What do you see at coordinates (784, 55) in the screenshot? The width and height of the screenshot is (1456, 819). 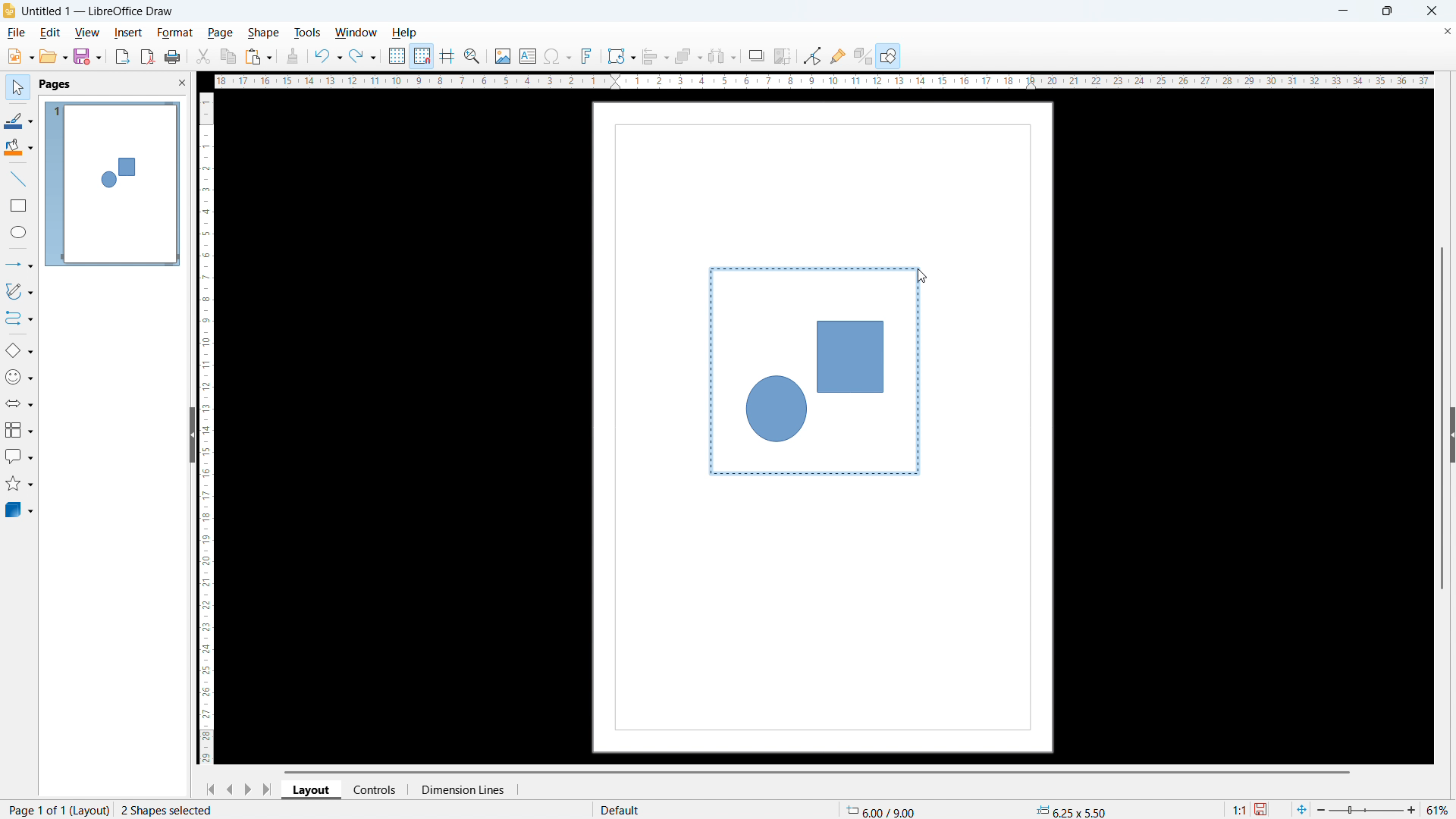 I see `crop image` at bounding box center [784, 55].